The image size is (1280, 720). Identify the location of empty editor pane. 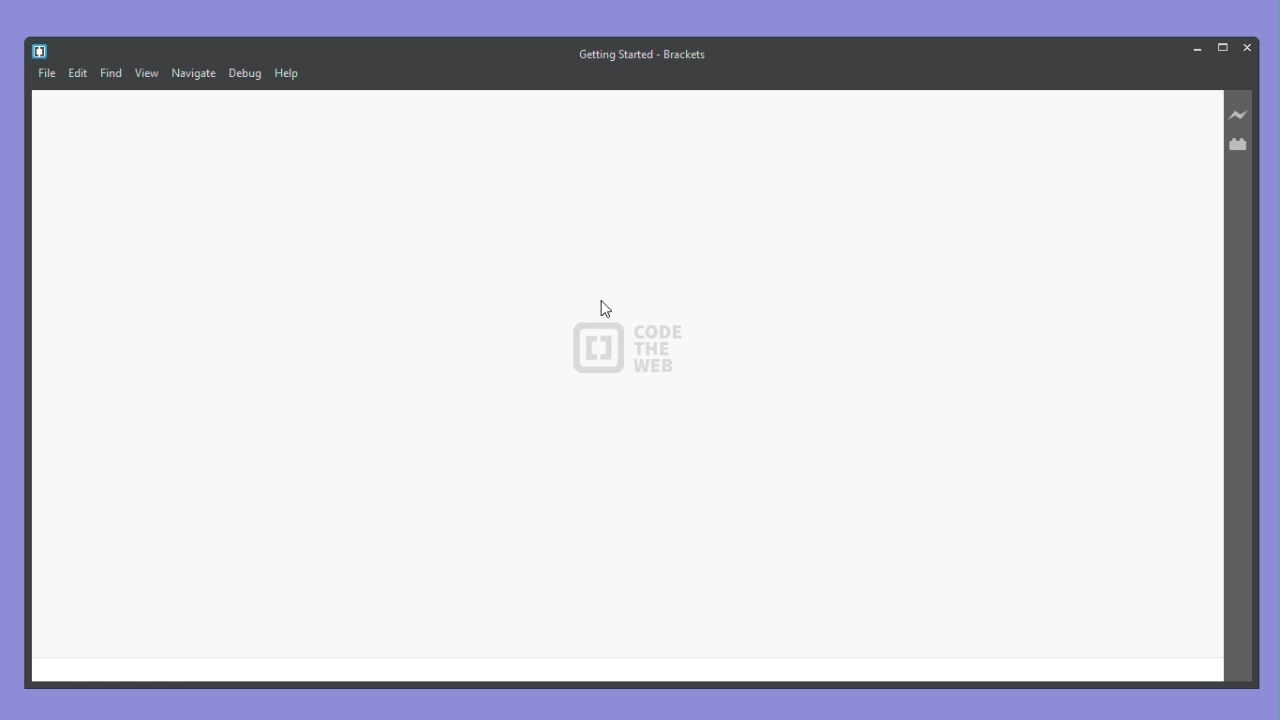
(628, 384).